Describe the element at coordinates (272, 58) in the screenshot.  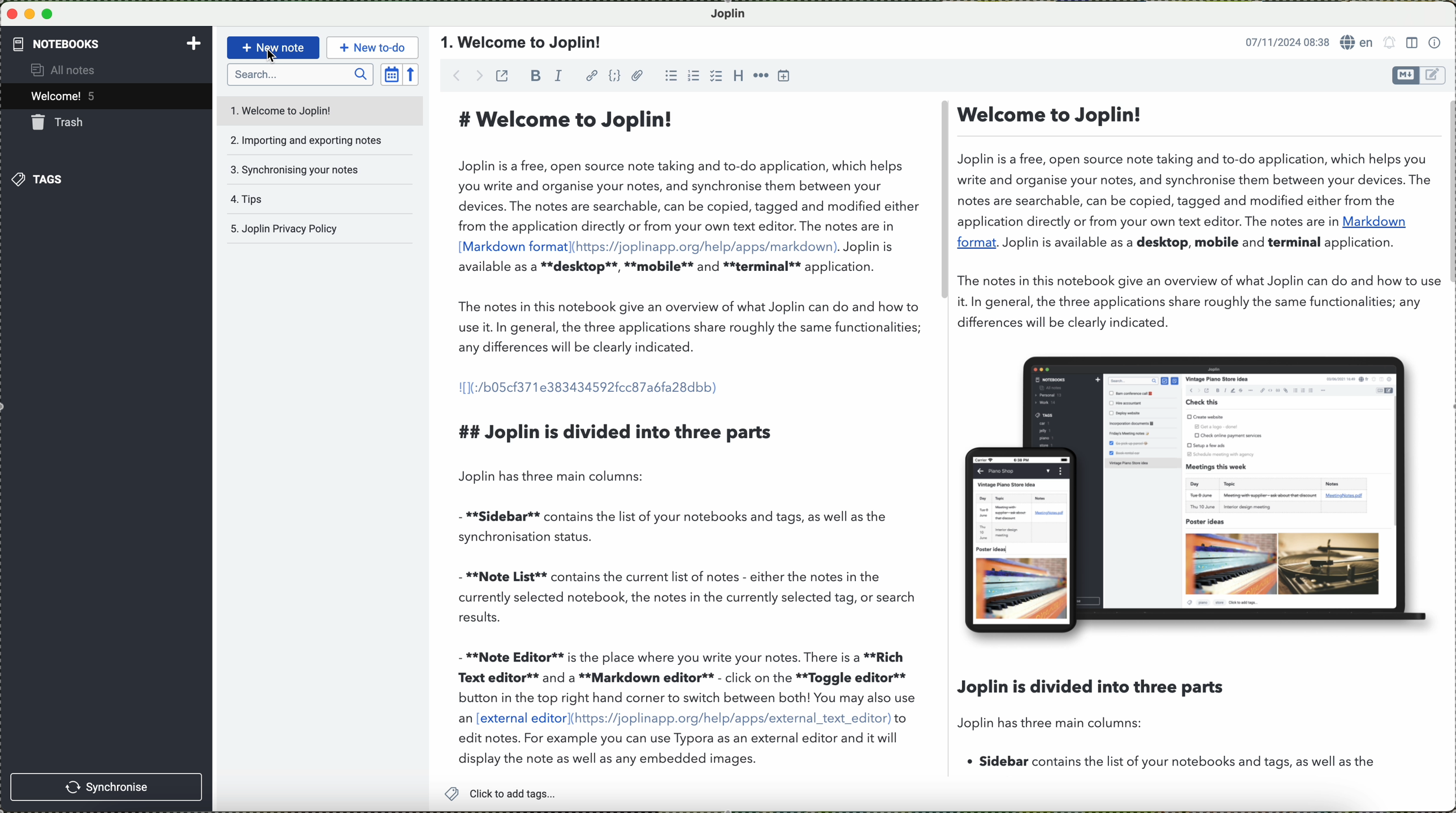
I see `cursor` at that location.